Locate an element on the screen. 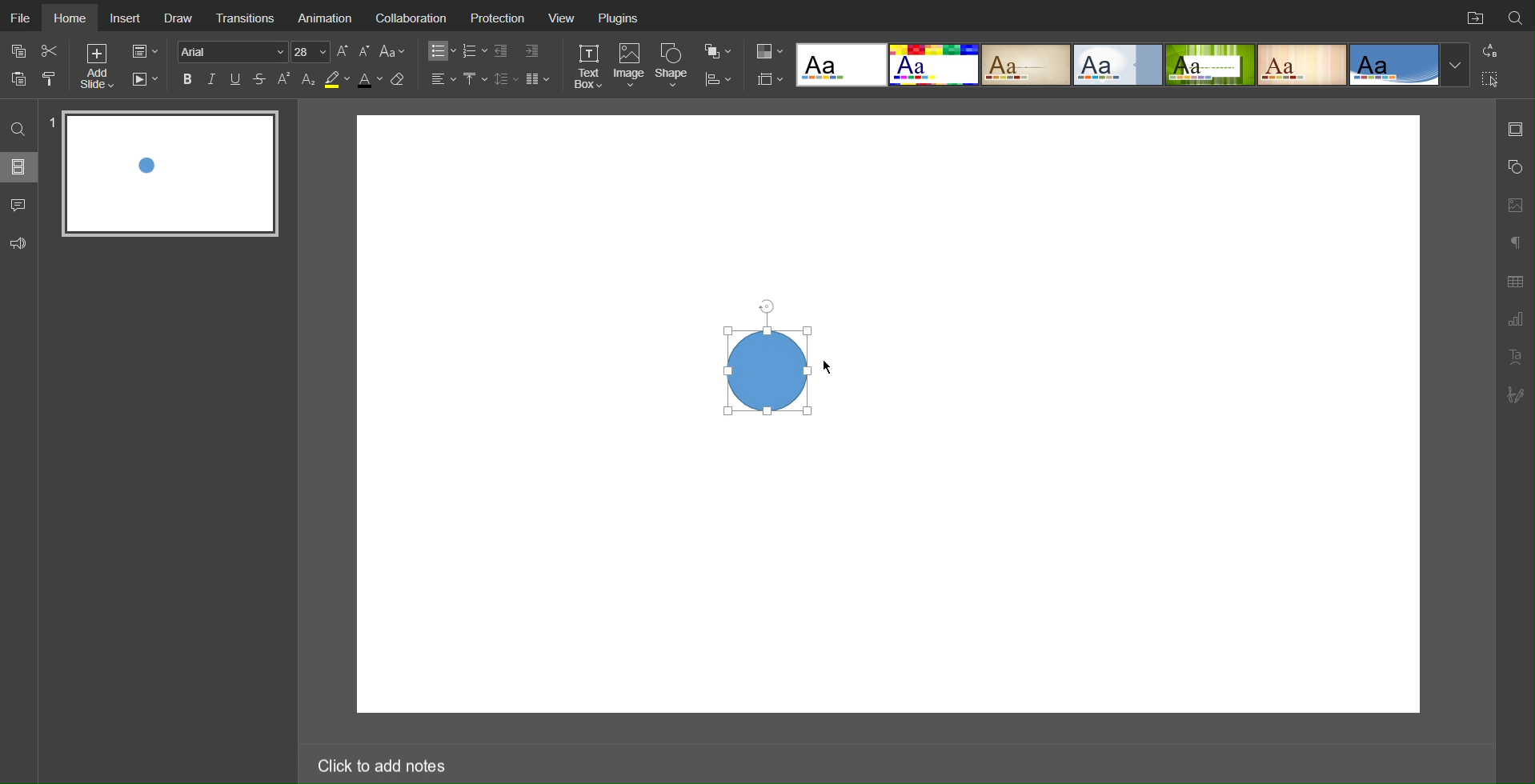 This screenshot has width=1535, height=784. Distribution is located at coordinates (718, 78).